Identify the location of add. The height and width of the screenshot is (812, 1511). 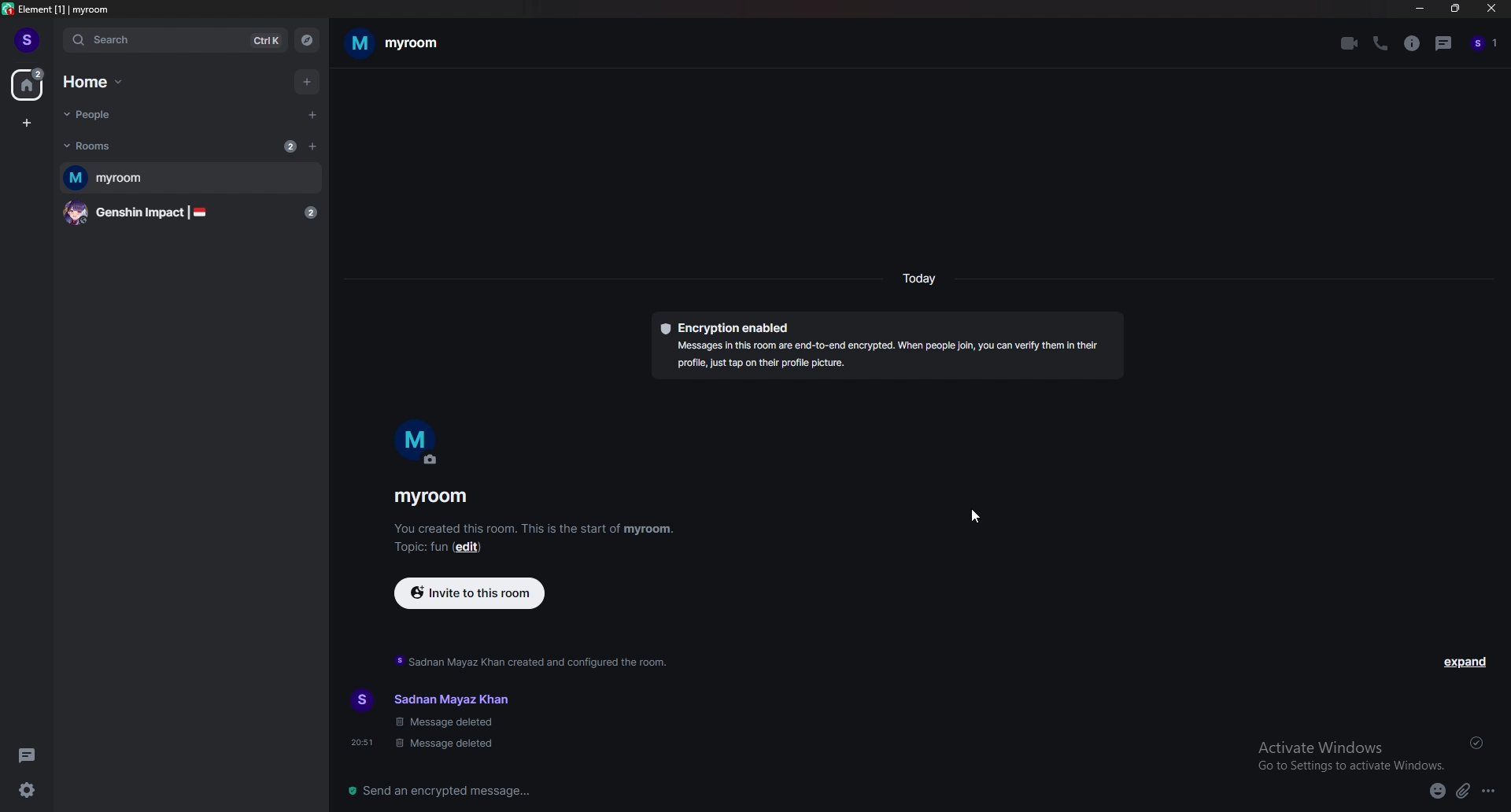
(305, 82).